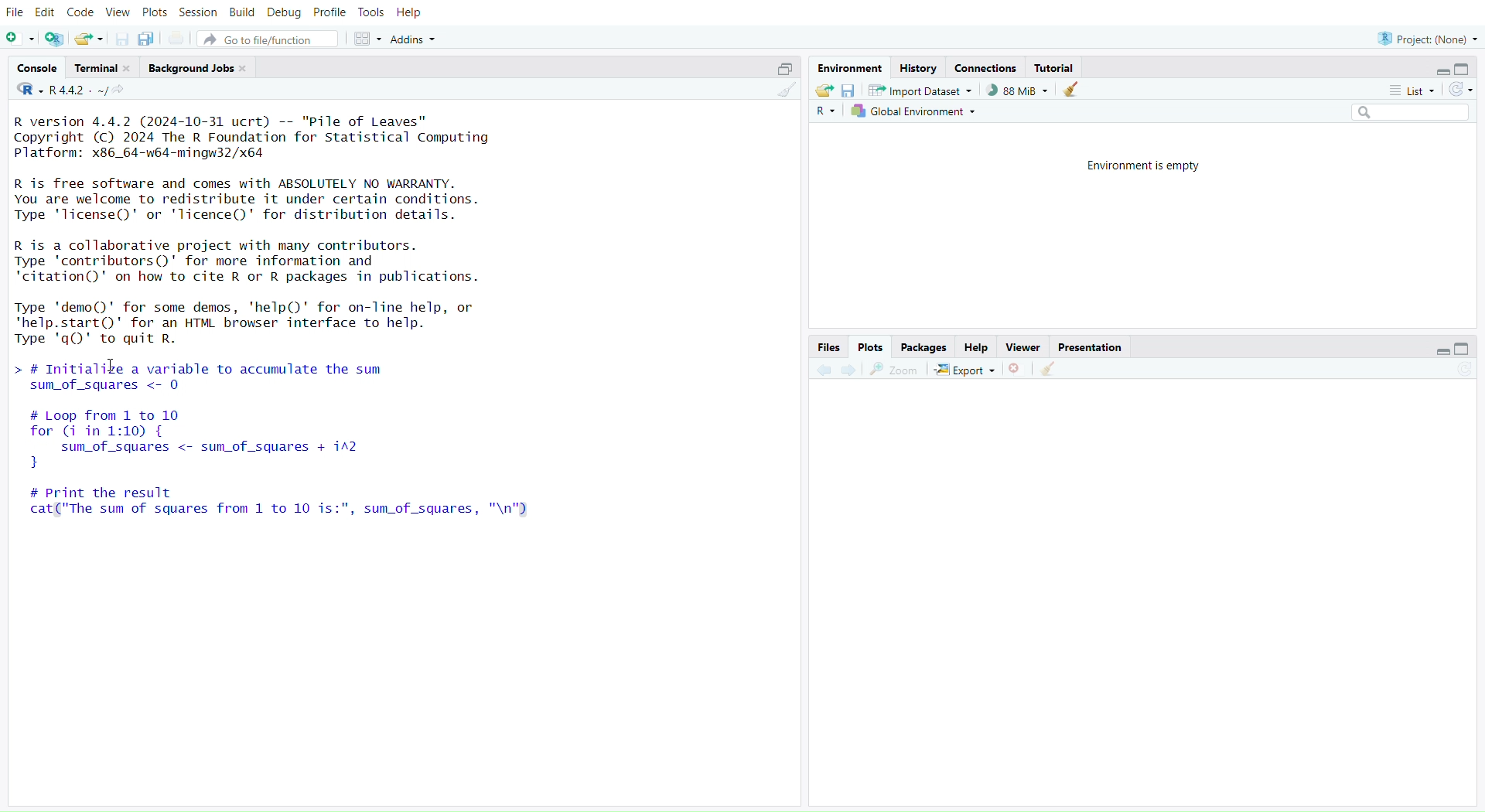 The image size is (1485, 812). Describe the element at coordinates (824, 113) in the screenshot. I see `R` at that location.